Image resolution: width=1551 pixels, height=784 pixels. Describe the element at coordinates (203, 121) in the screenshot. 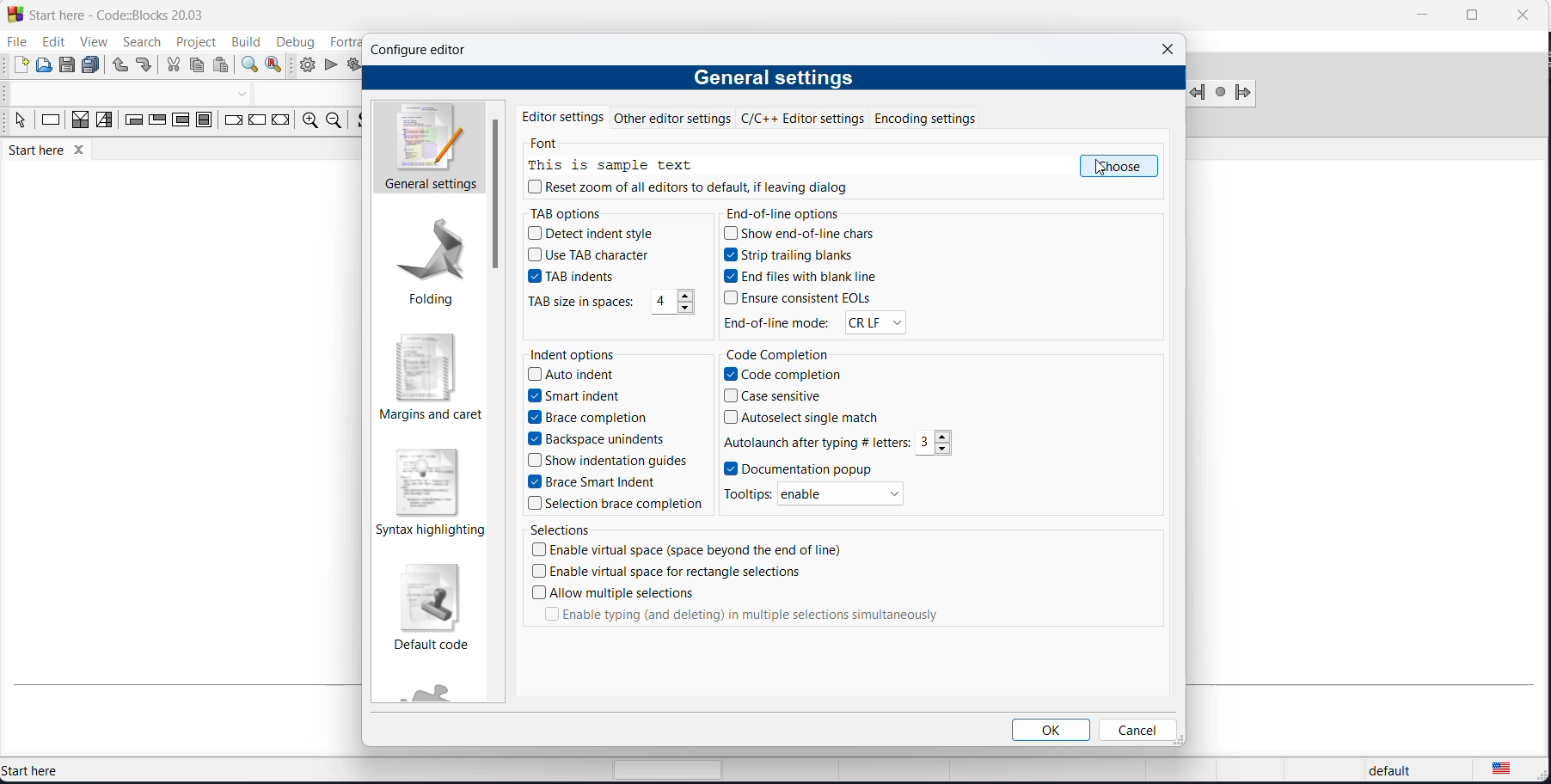

I see `block instruction` at that location.